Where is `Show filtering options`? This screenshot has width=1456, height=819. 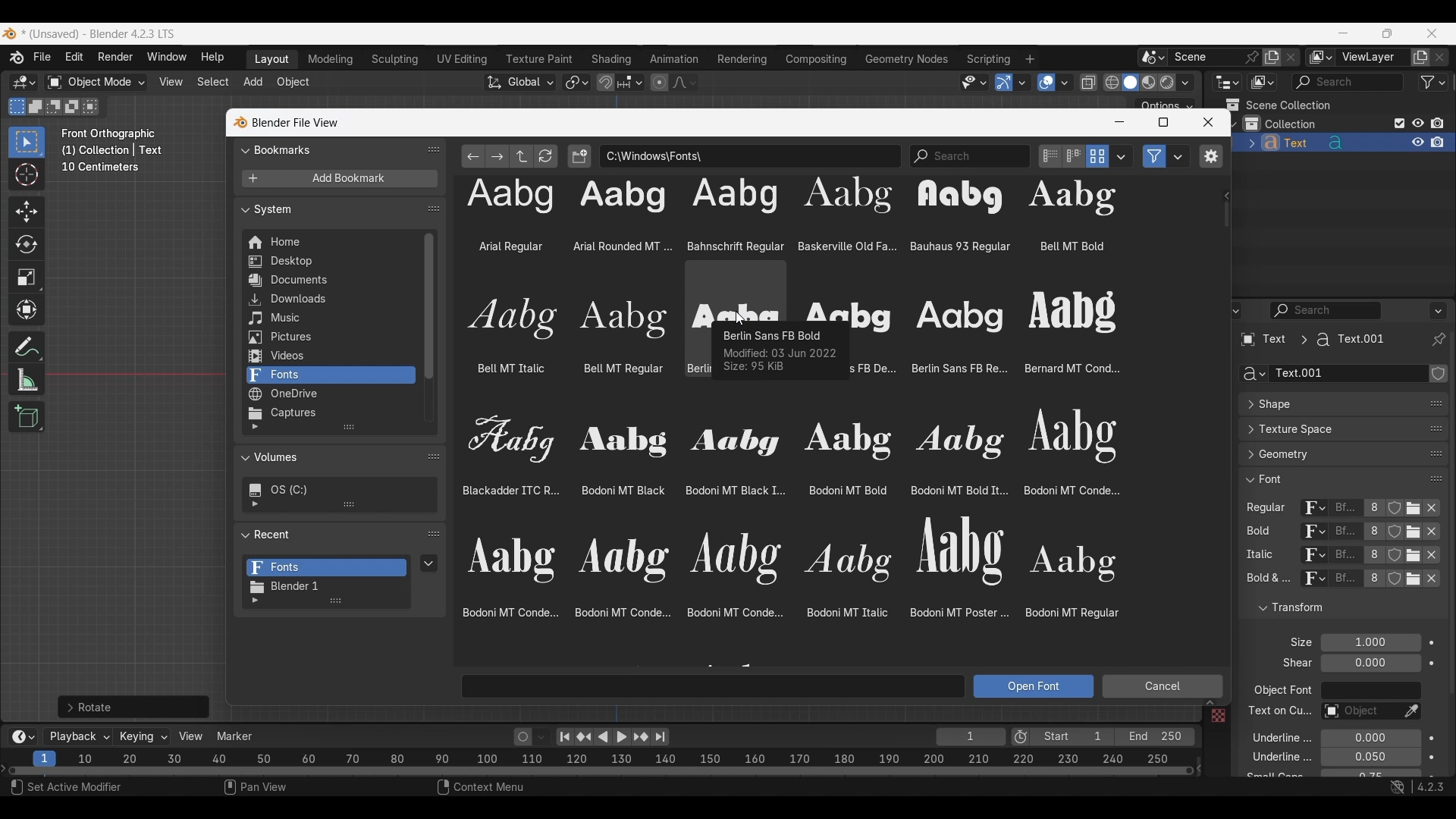 Show filtering options is located at coordinates (255, 427).